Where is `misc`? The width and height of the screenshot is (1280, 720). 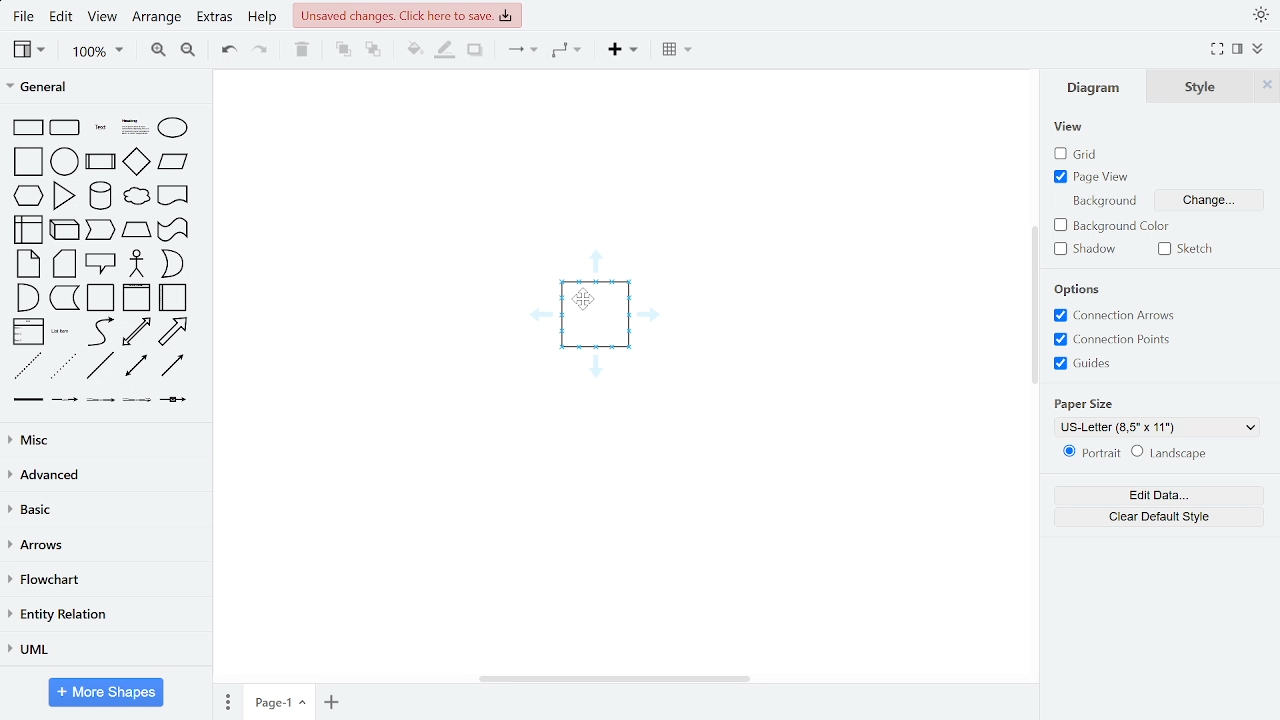 misc is located at coordinates (102, 442).